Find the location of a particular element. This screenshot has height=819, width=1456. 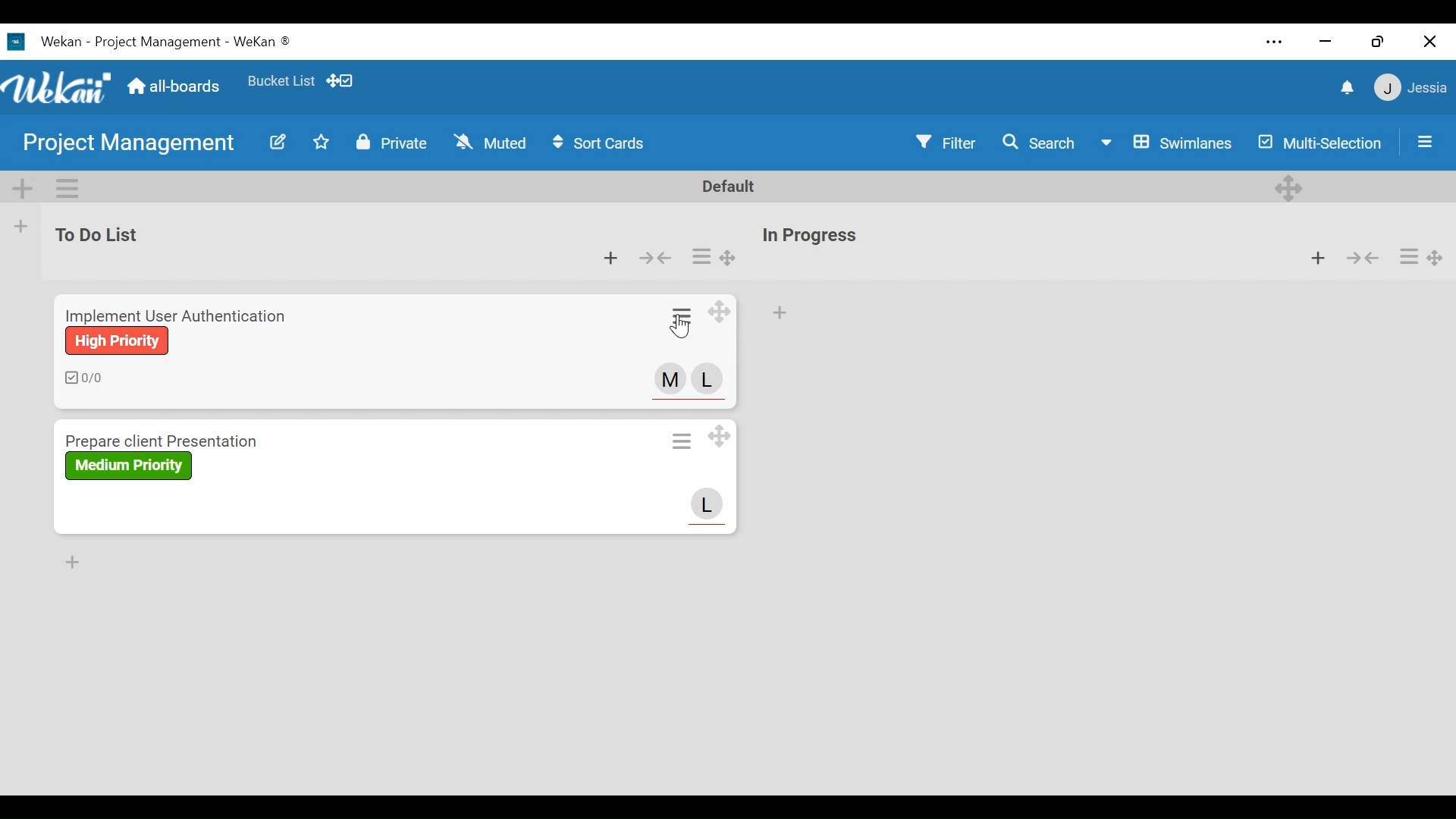

List Name is located at coordinates (808, 236).